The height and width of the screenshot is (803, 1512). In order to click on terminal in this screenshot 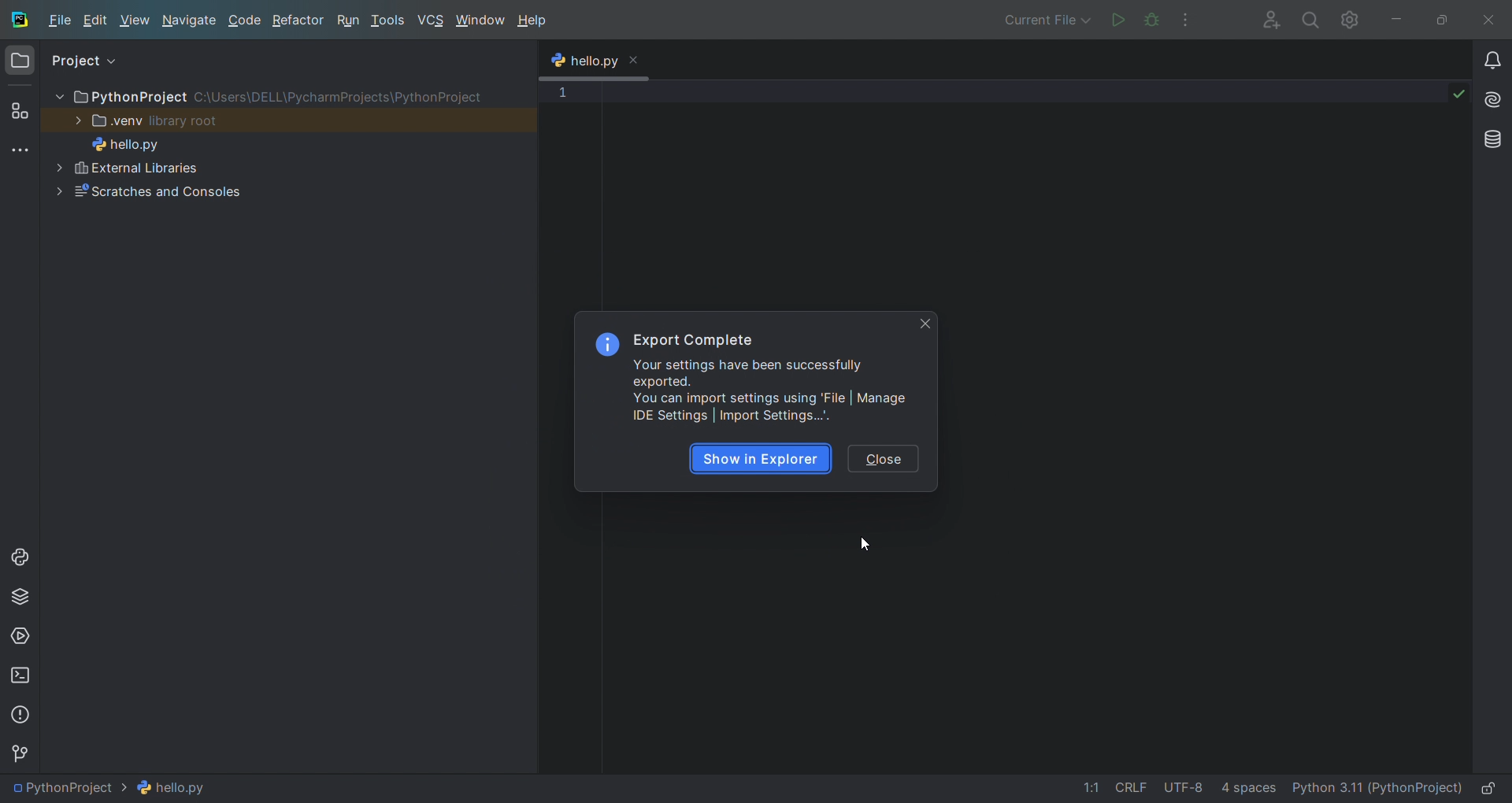, I will do `click(20, 675)`.